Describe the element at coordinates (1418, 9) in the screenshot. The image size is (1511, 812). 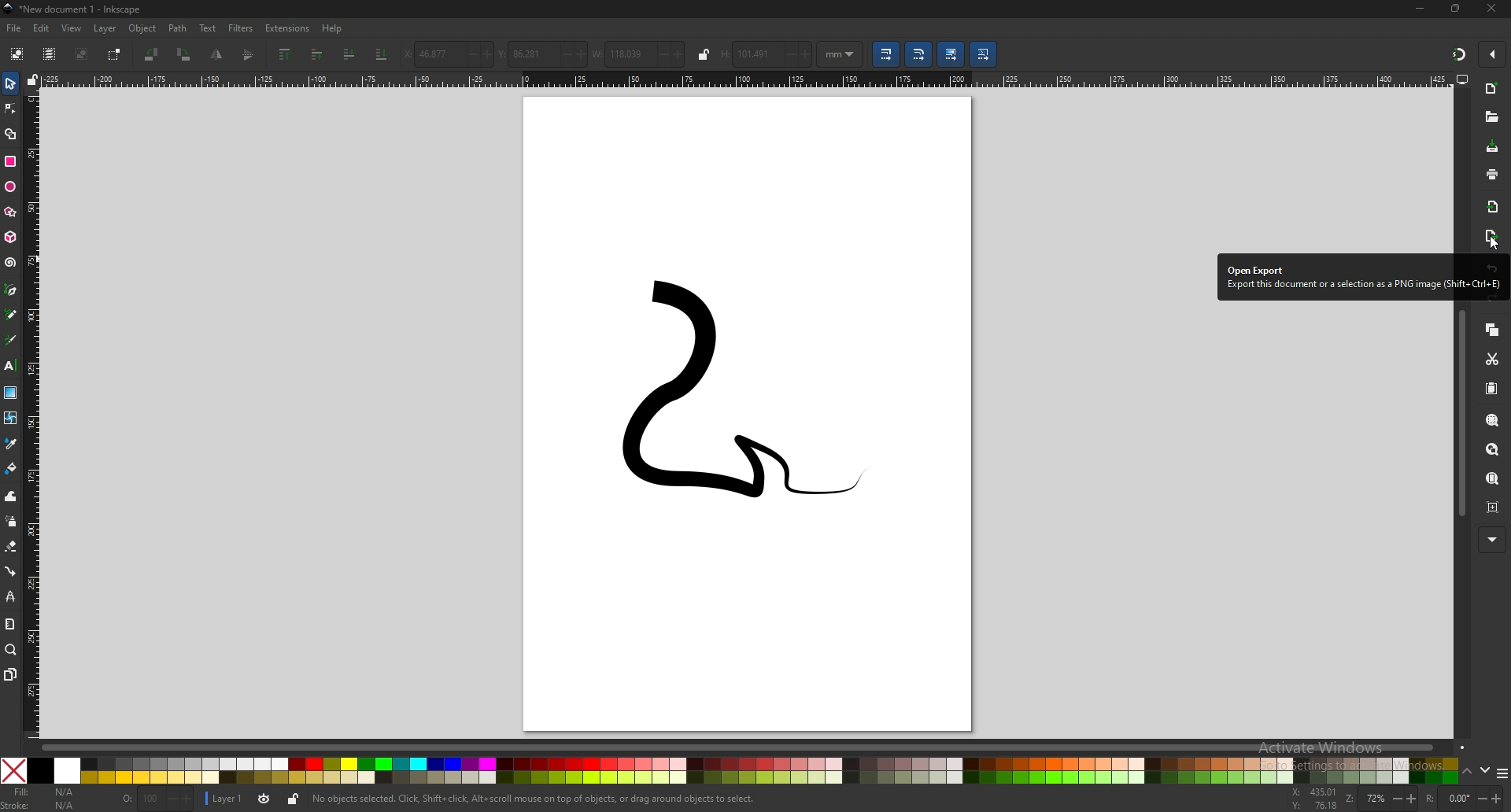
I see `minimize` at that location.